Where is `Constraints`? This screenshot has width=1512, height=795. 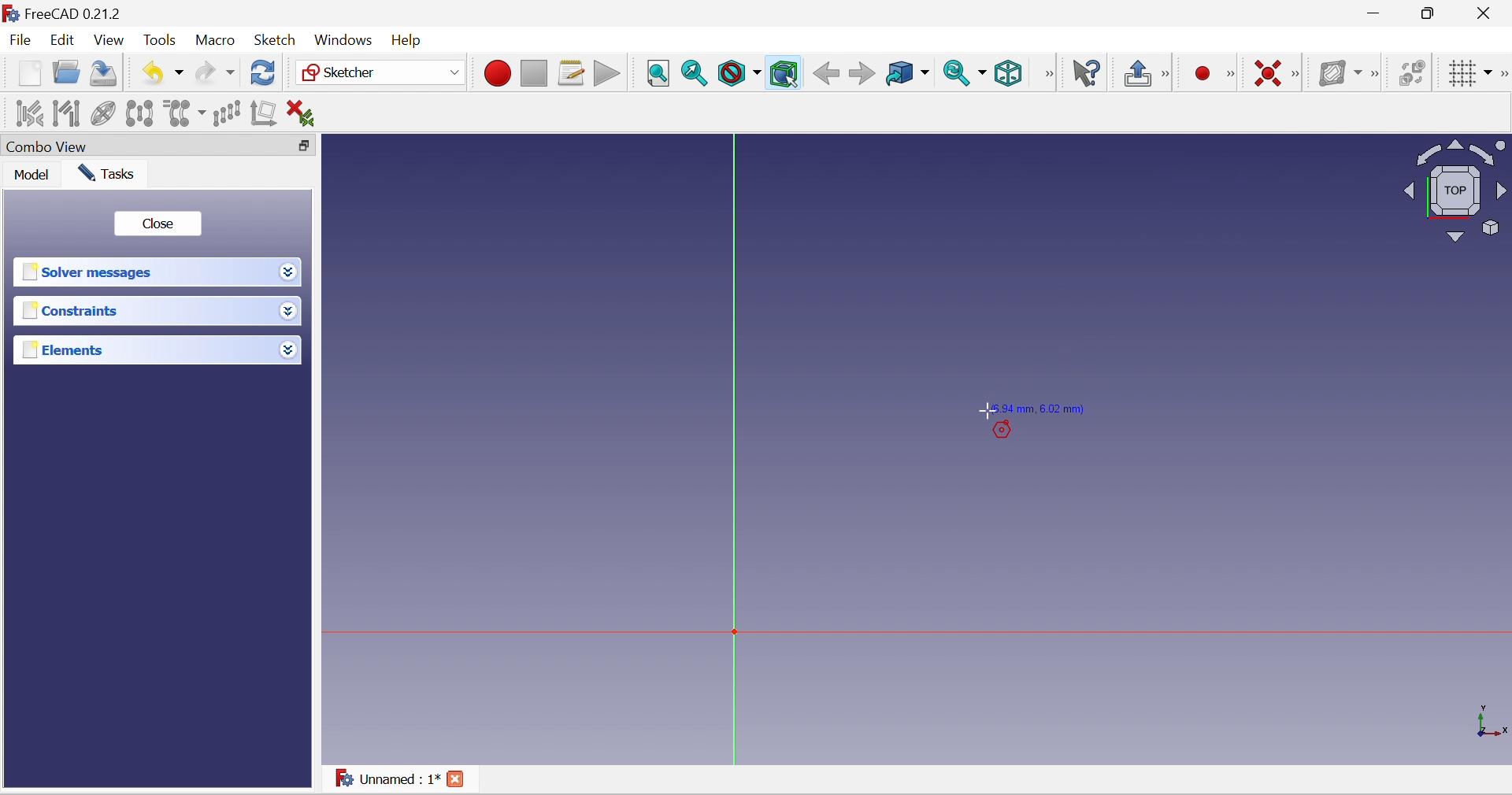
Constraints is located at coordinates (143, 311).